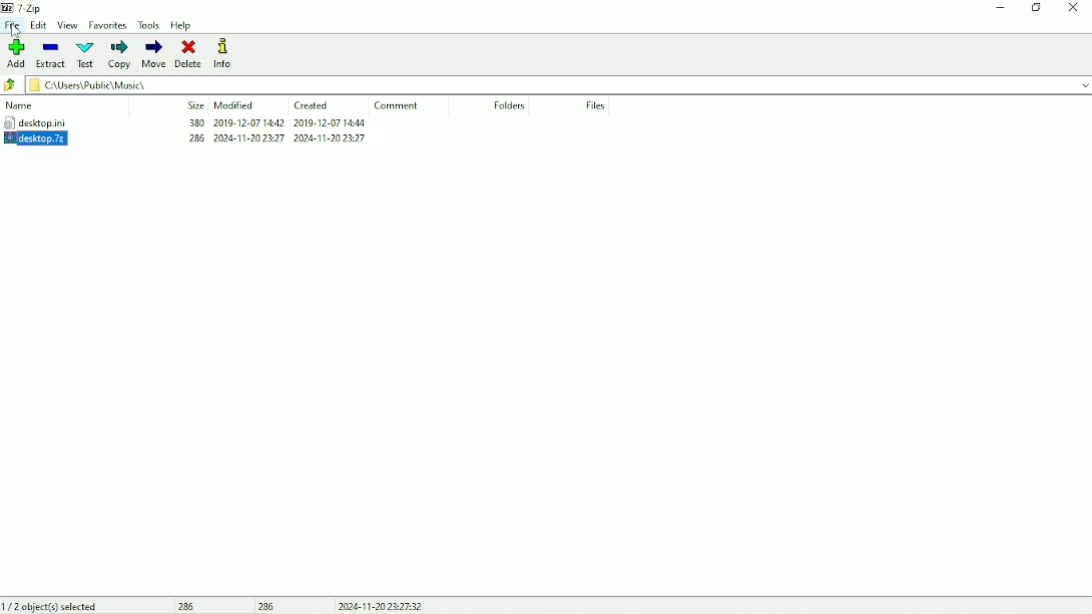 The image size is (1092, 614). Describe the element at coordinates (188, 53) in the screenshot. I see `Delete` at that location.